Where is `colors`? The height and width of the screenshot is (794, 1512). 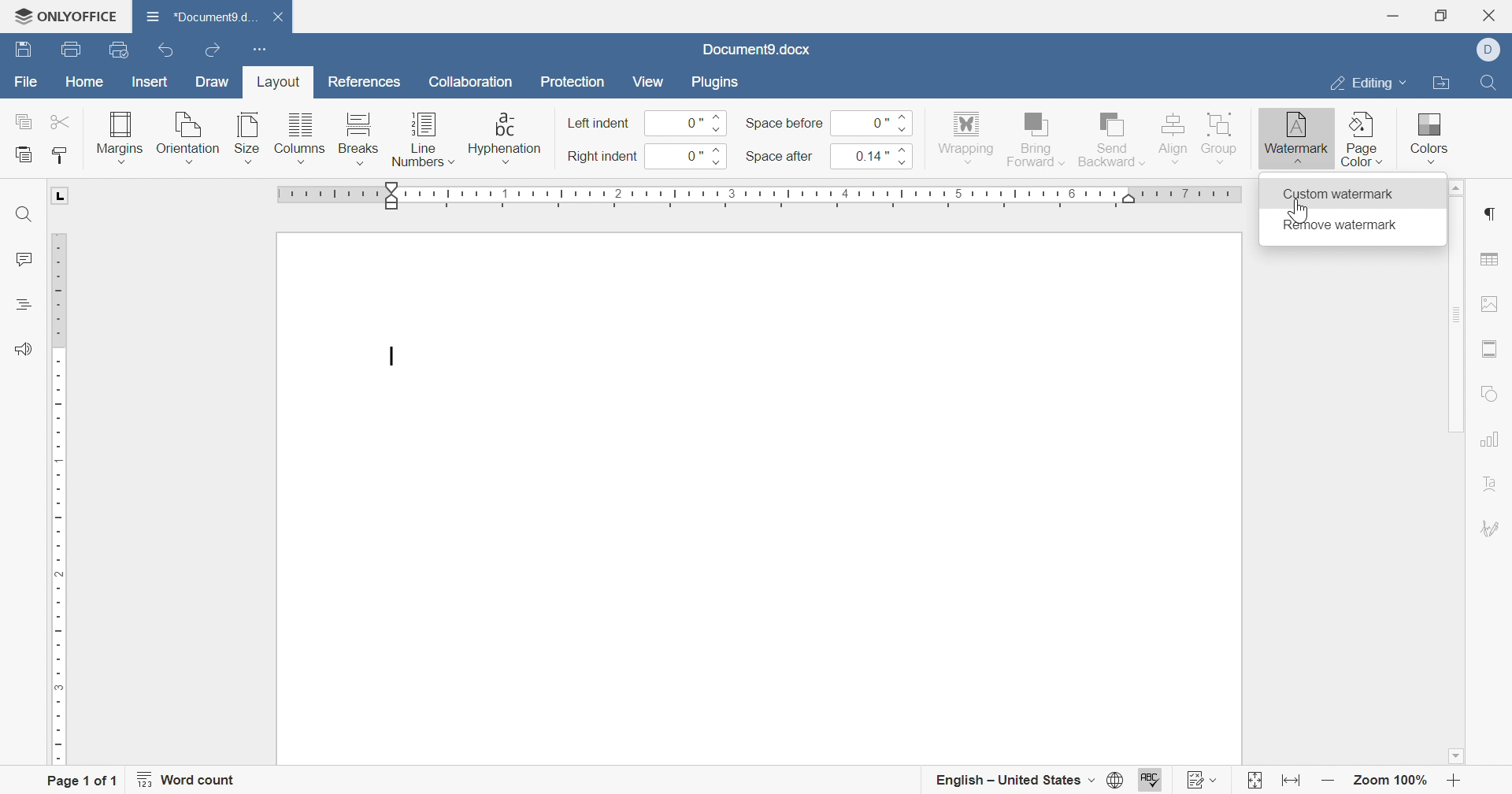
colors is located at coordinates (1426, 132).